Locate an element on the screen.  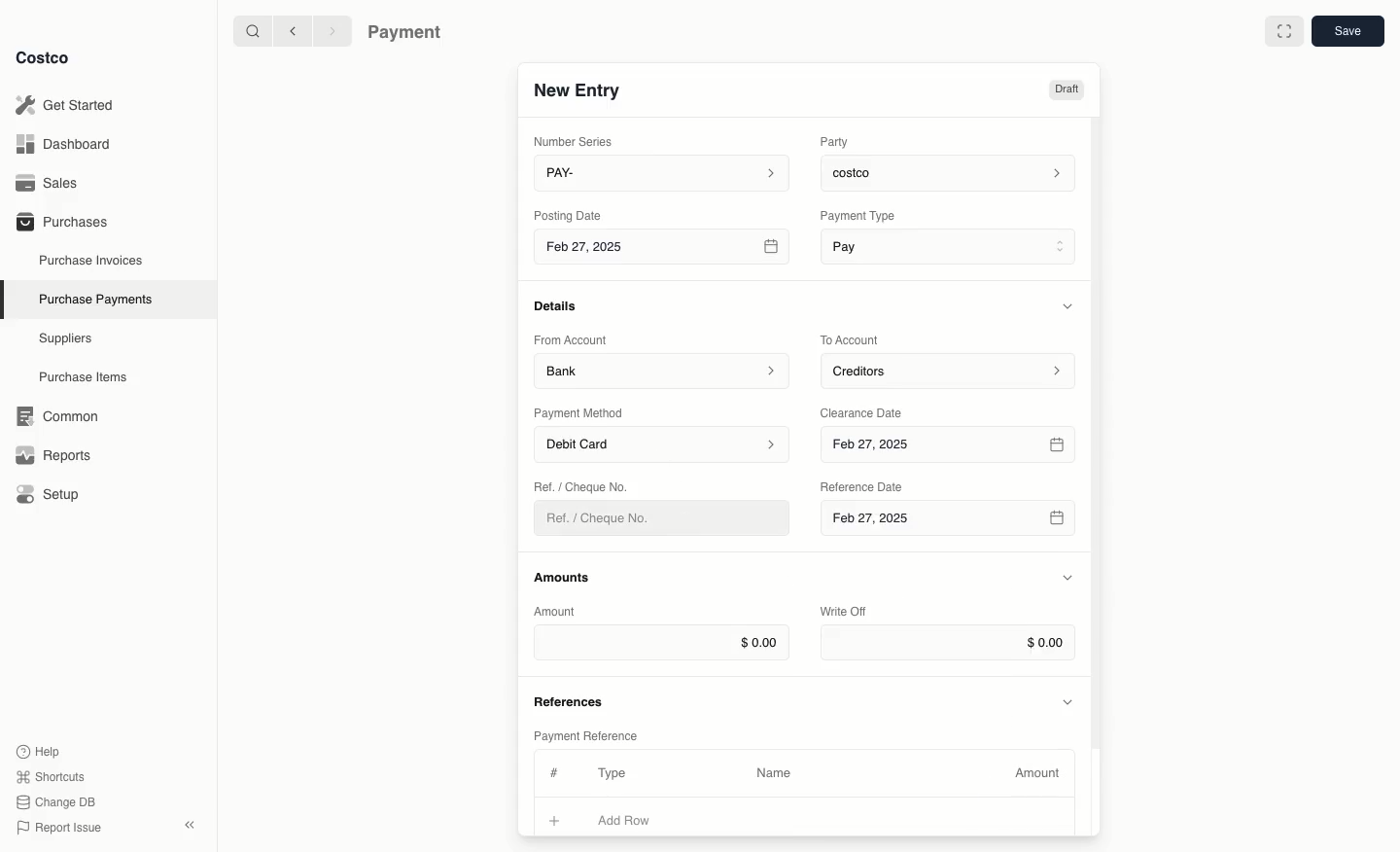
PAY- is located at coordinates (663, 172).